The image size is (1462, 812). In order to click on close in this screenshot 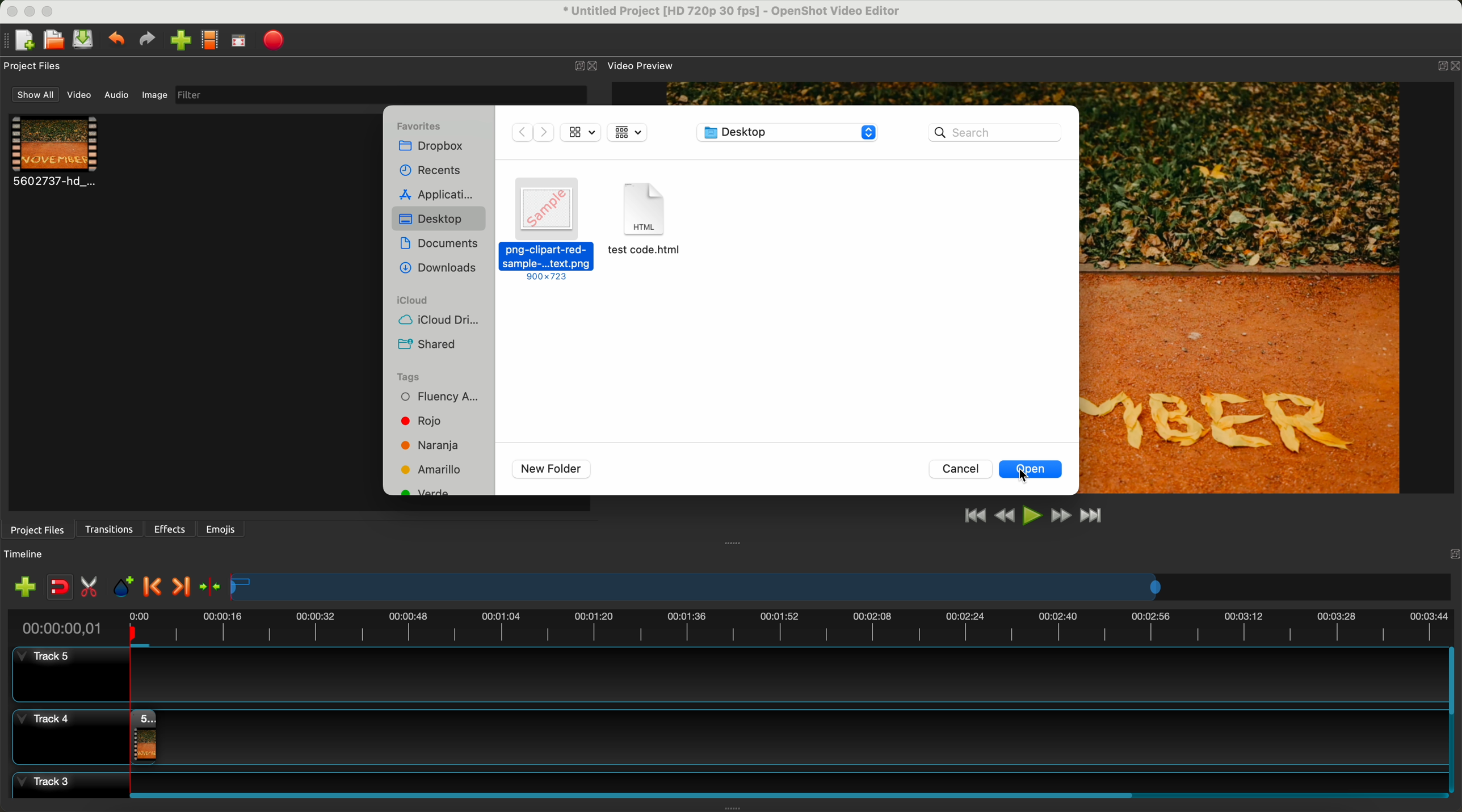, I will do `click(586, 66)`.